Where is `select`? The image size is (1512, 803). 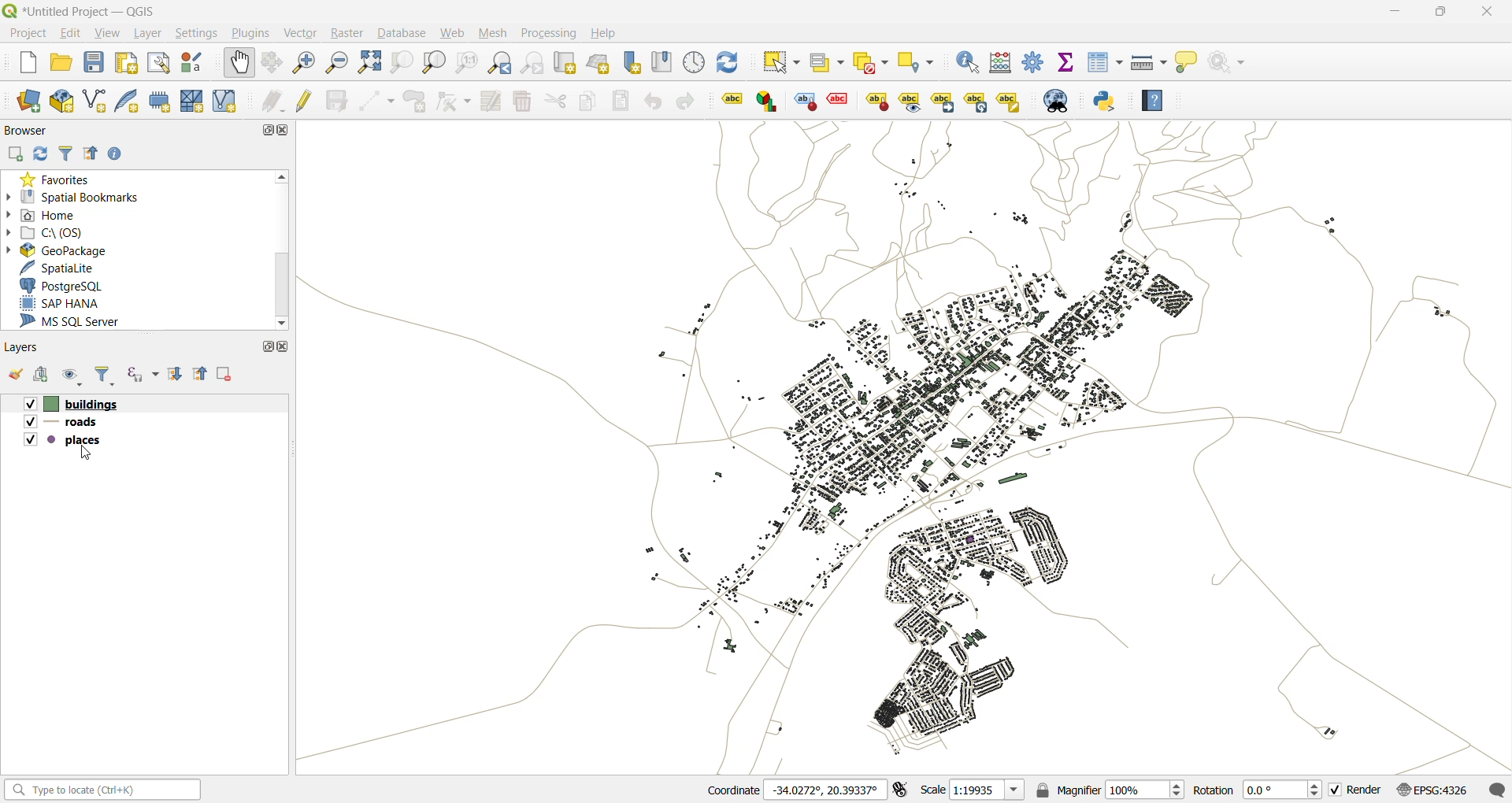
select is located at coordinates (784, 61).